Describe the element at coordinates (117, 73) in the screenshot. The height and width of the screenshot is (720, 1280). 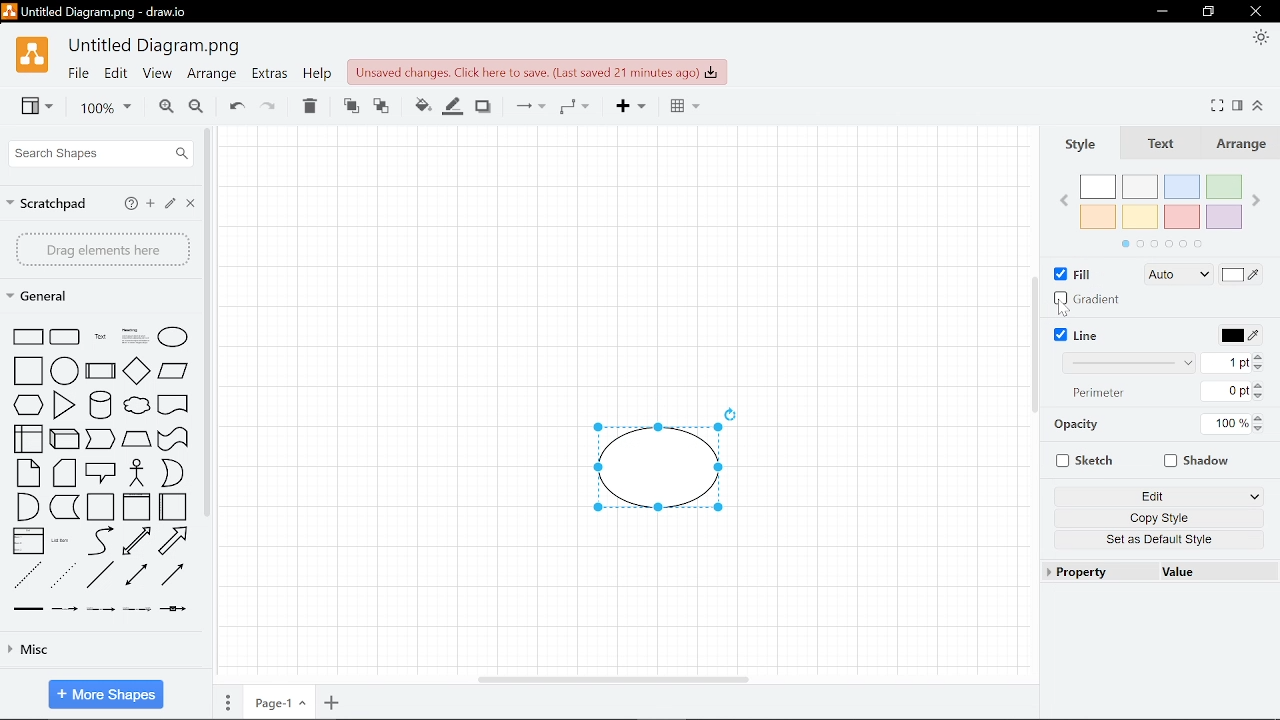
I see `Edit` at that location.